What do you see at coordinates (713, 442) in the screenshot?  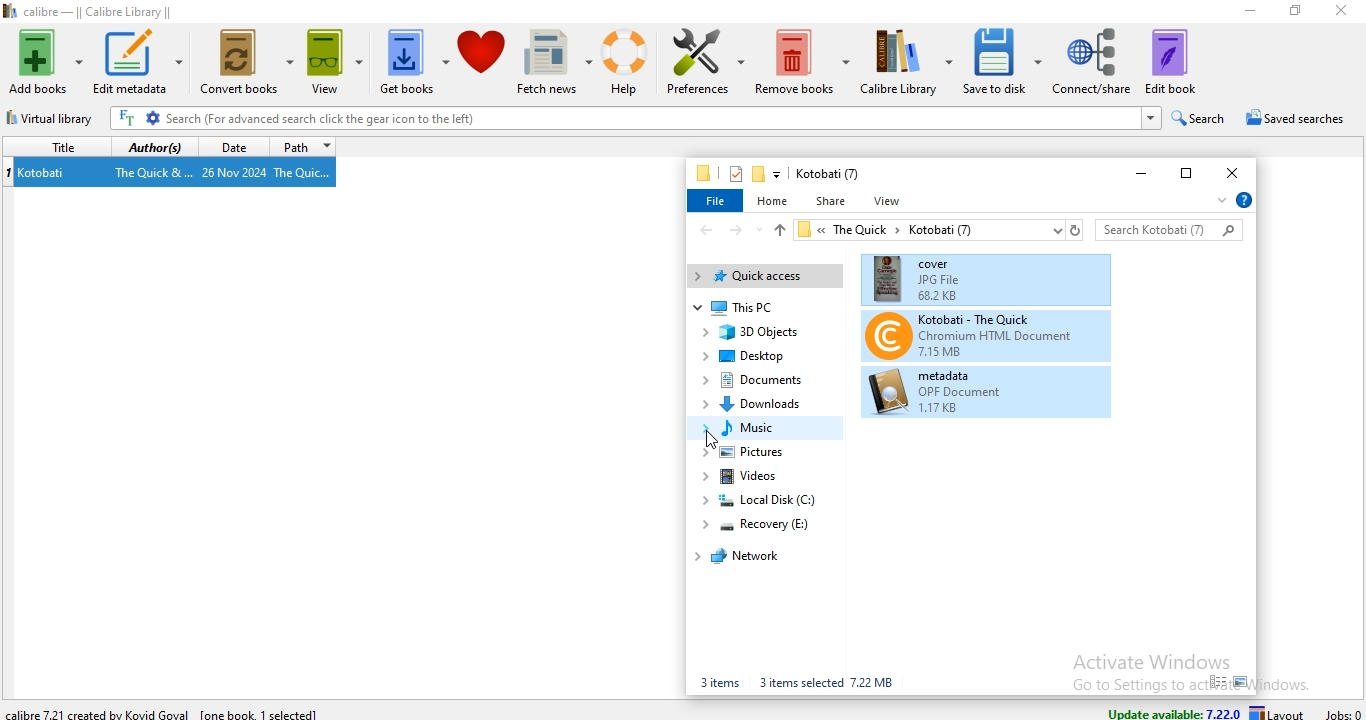 I see `Cursor` at bounding box center [713, 442].